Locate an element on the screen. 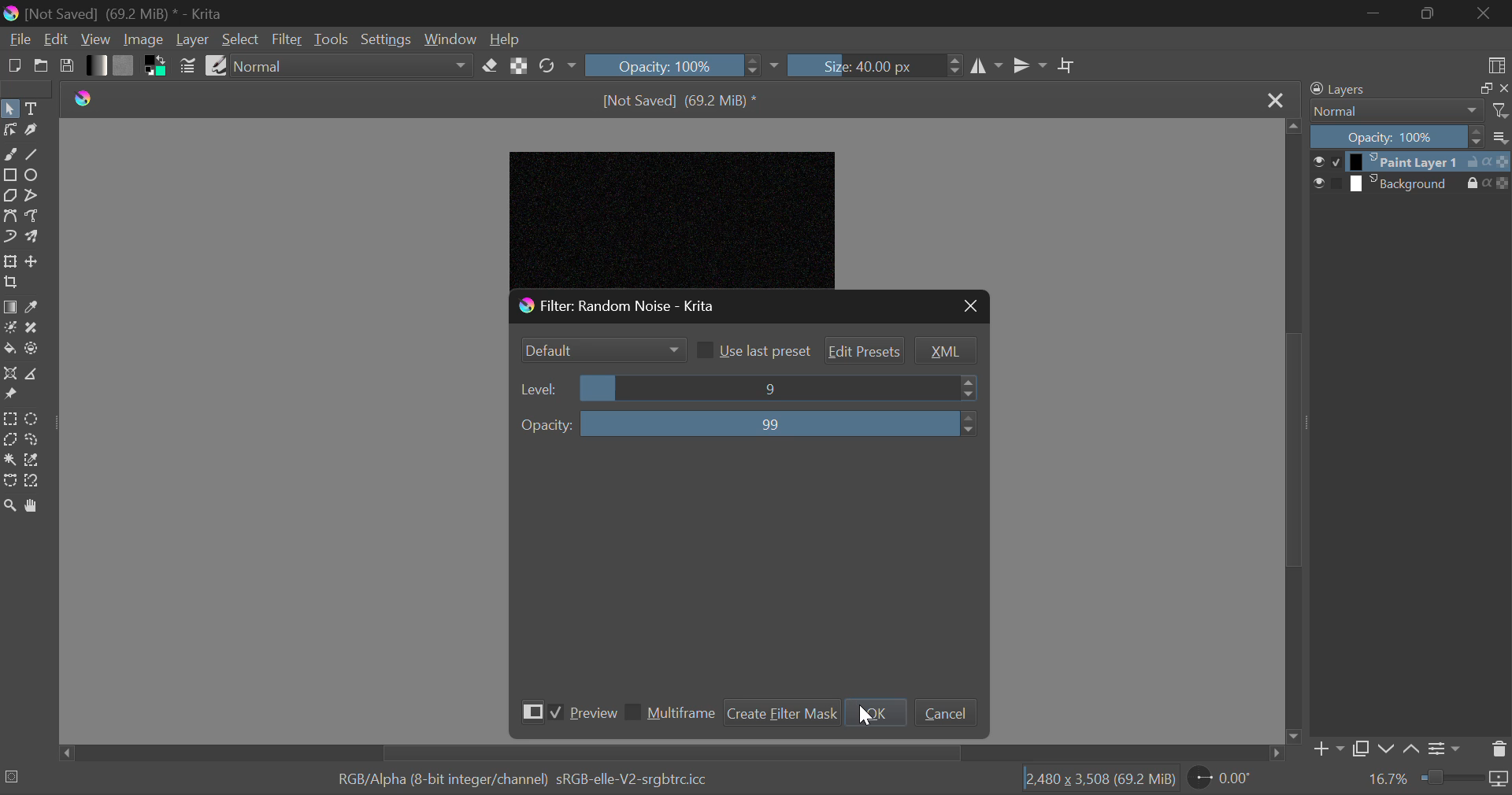  Polygon Selection is located at coordinates (9, 440).